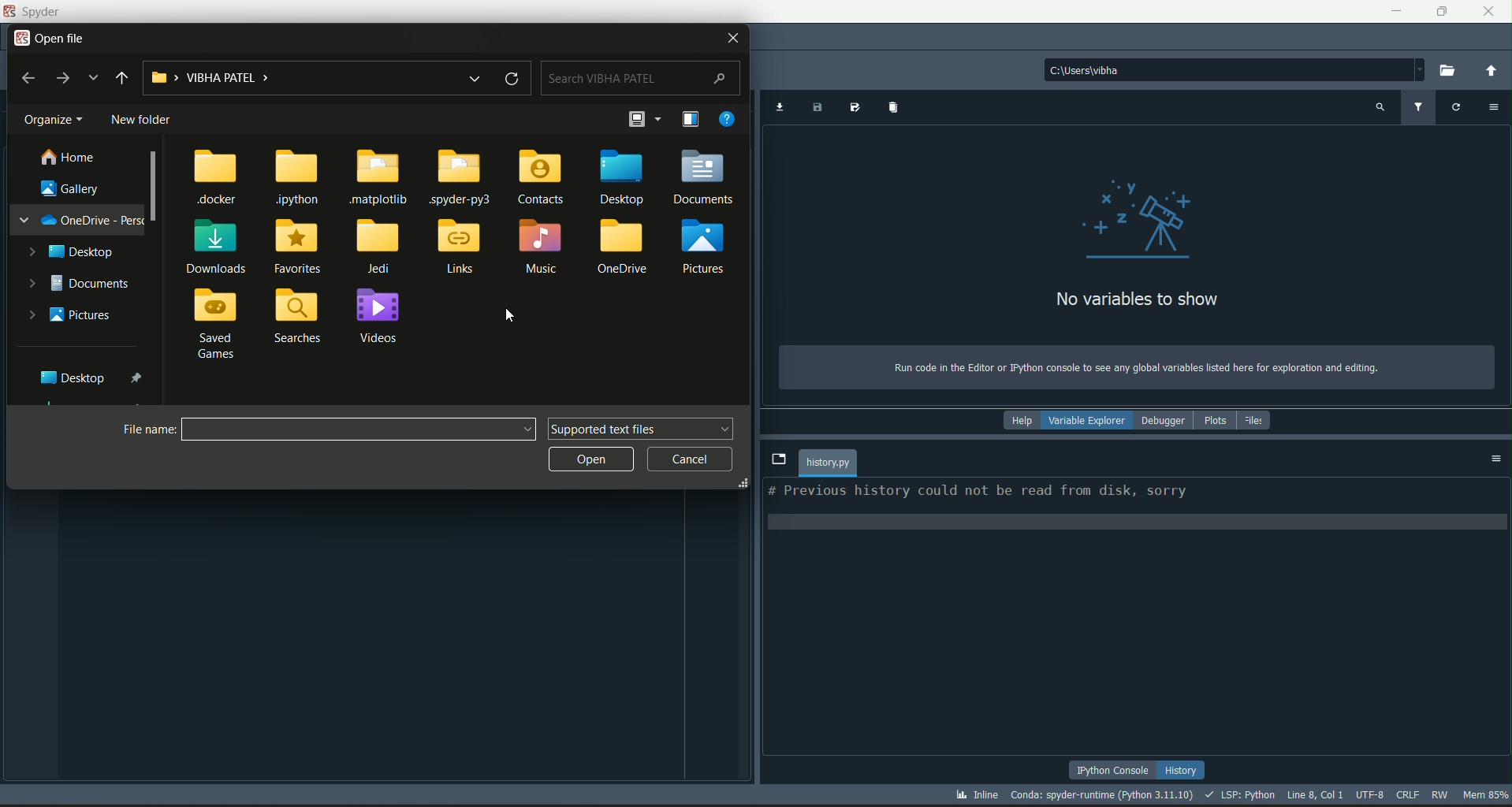 This screenshot has height=807, width=1512. I want to click on browse tabs, so click(778, 460).